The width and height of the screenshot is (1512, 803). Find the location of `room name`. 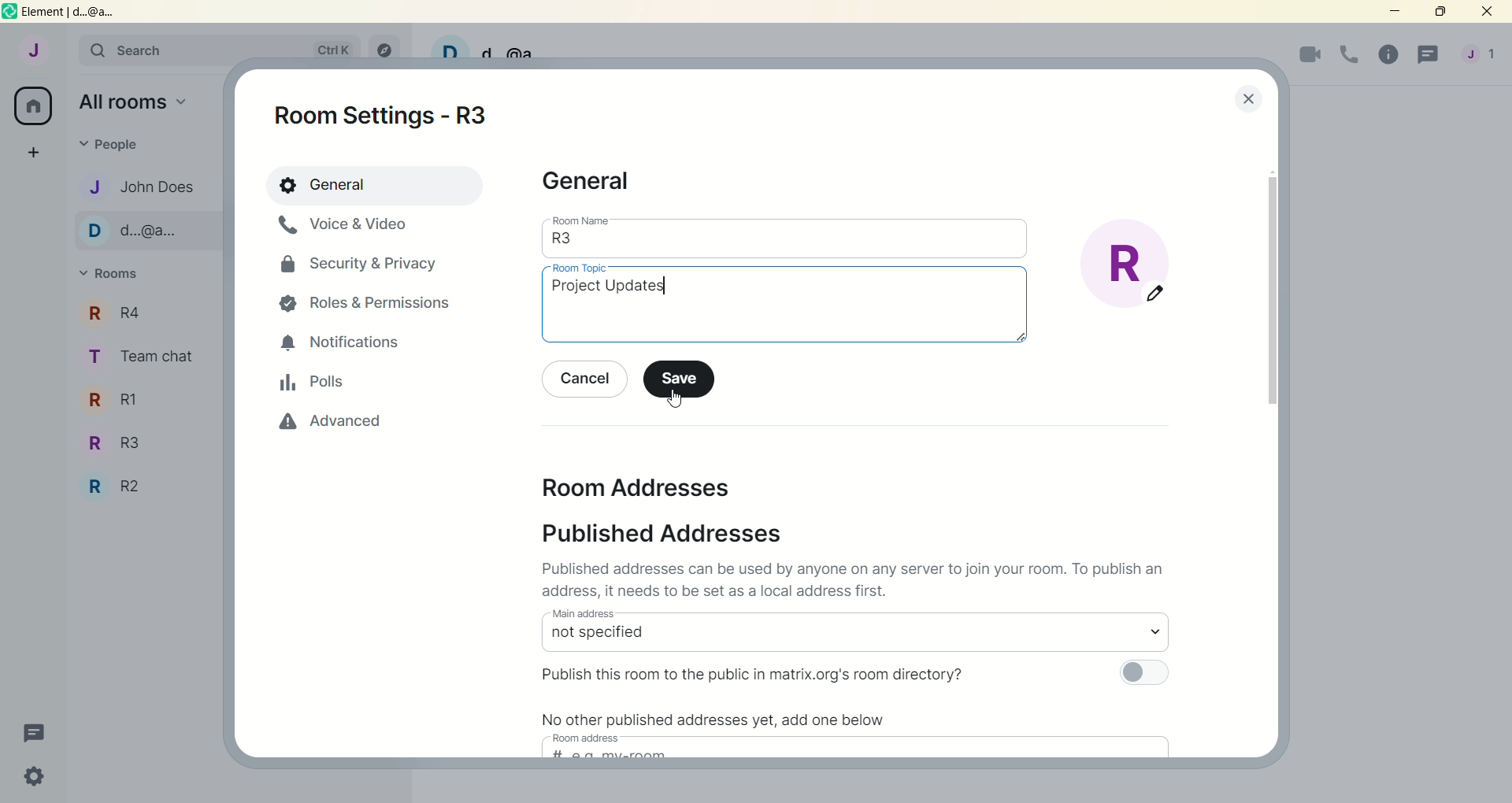

room name is located at coordinates (584, 220).